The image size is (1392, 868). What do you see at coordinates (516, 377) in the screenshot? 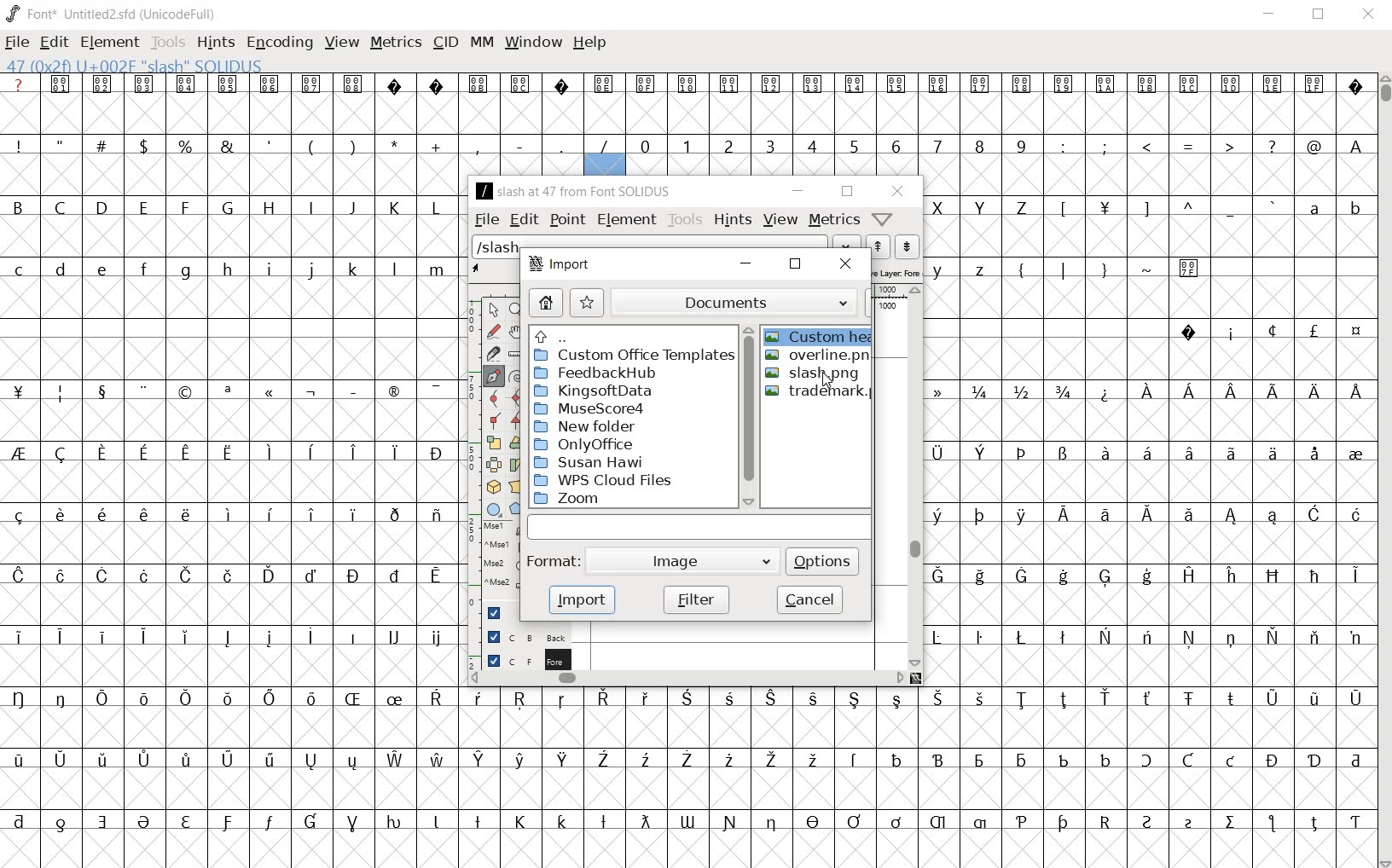
I see `change whether spiro is active or not` at bounding box center [516, 377].